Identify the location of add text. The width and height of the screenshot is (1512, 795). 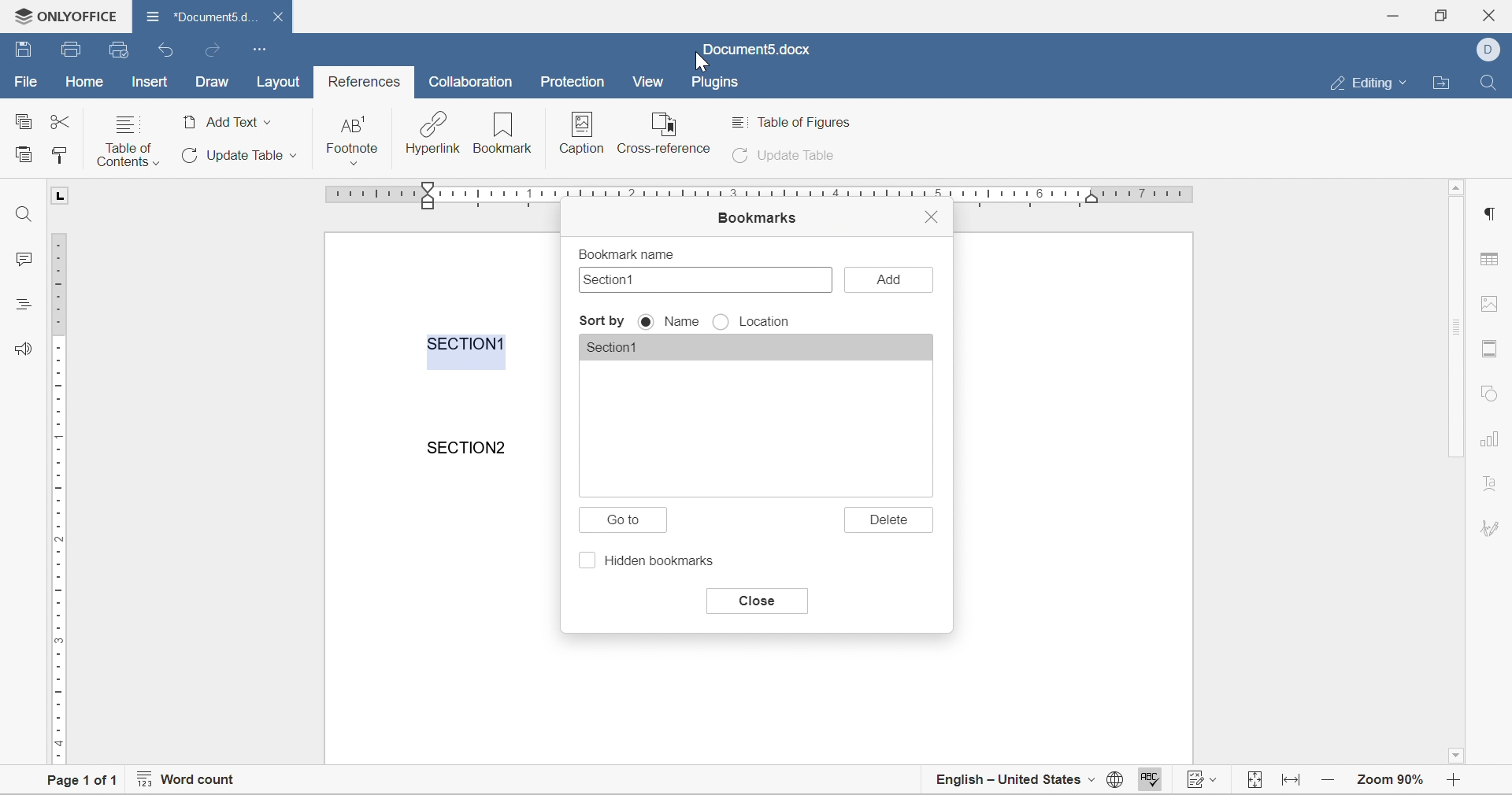
(228, 122).